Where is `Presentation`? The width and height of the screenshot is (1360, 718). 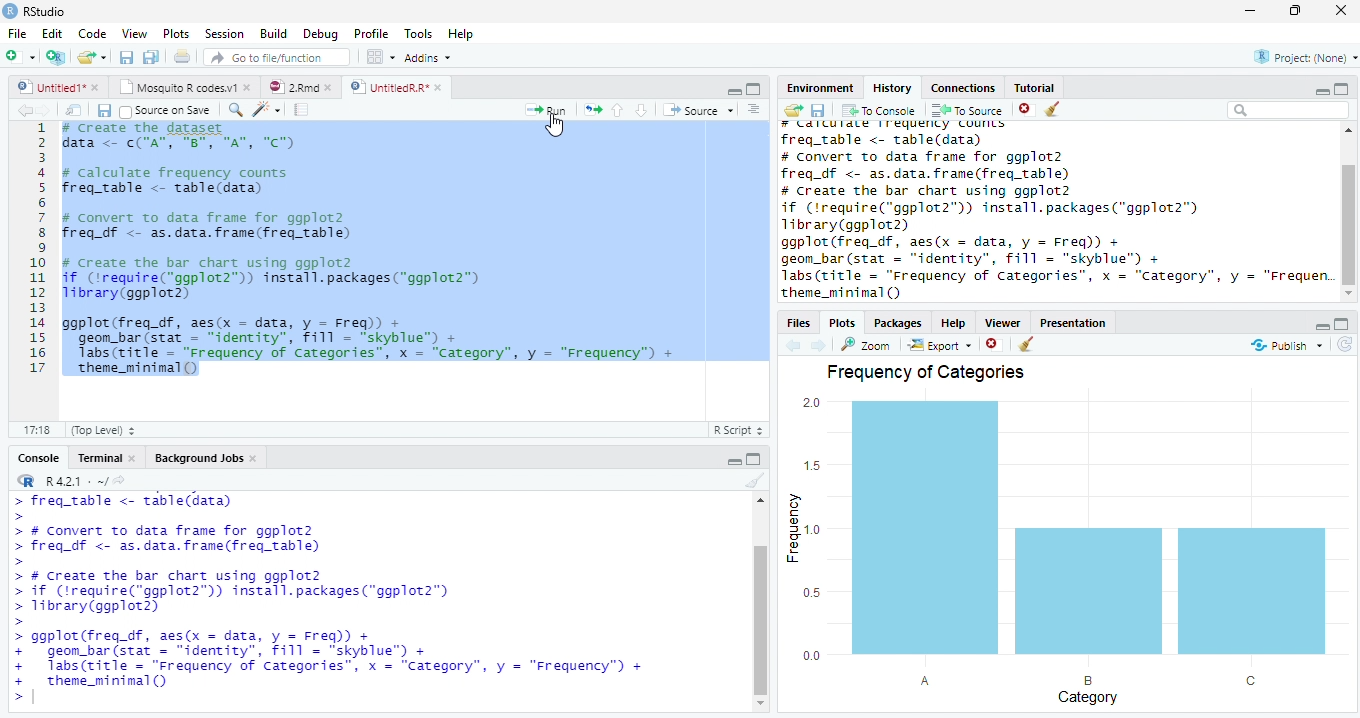
Presentation is located at coordinates (1073, 322).